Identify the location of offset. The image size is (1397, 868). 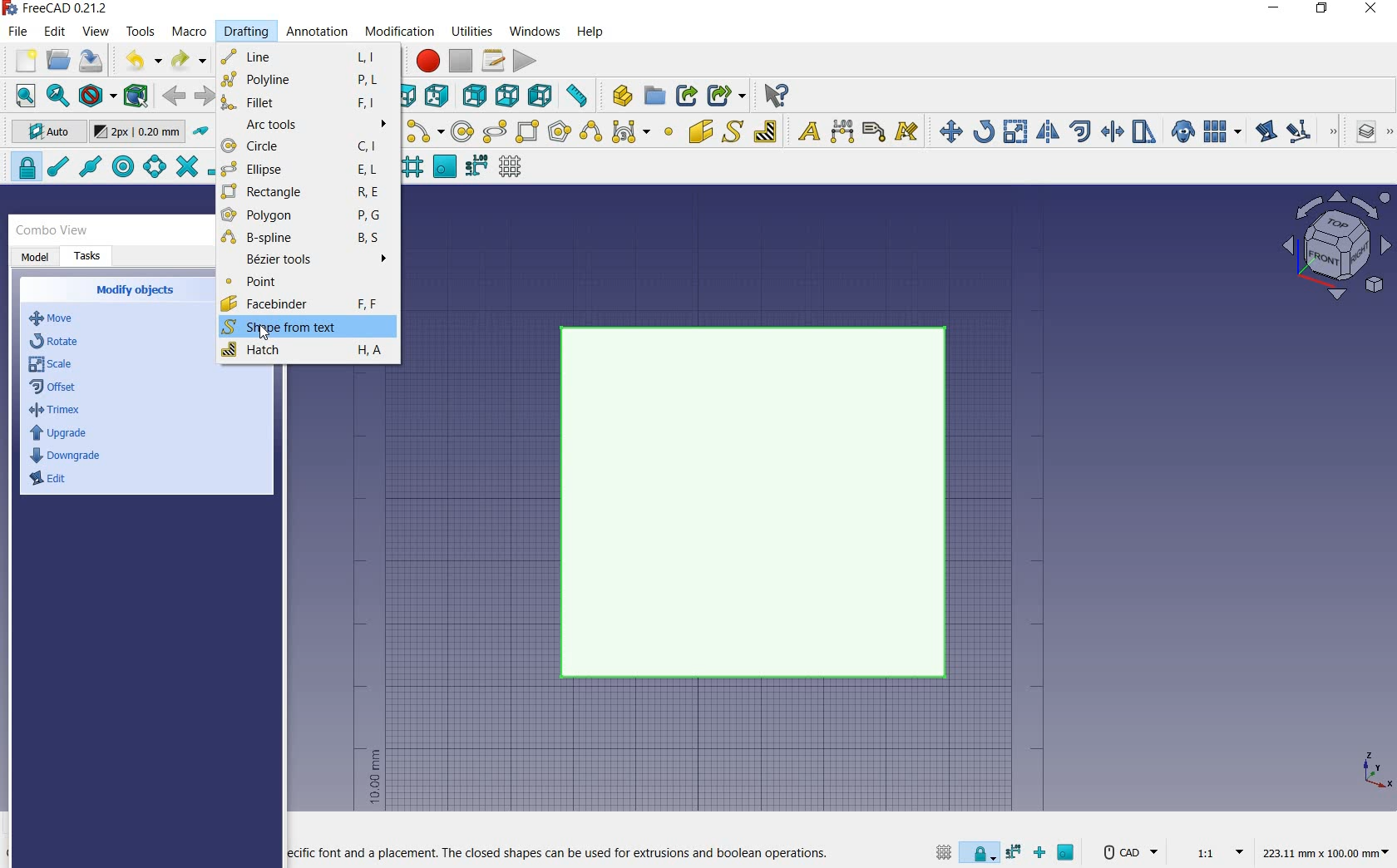
(57, 388).